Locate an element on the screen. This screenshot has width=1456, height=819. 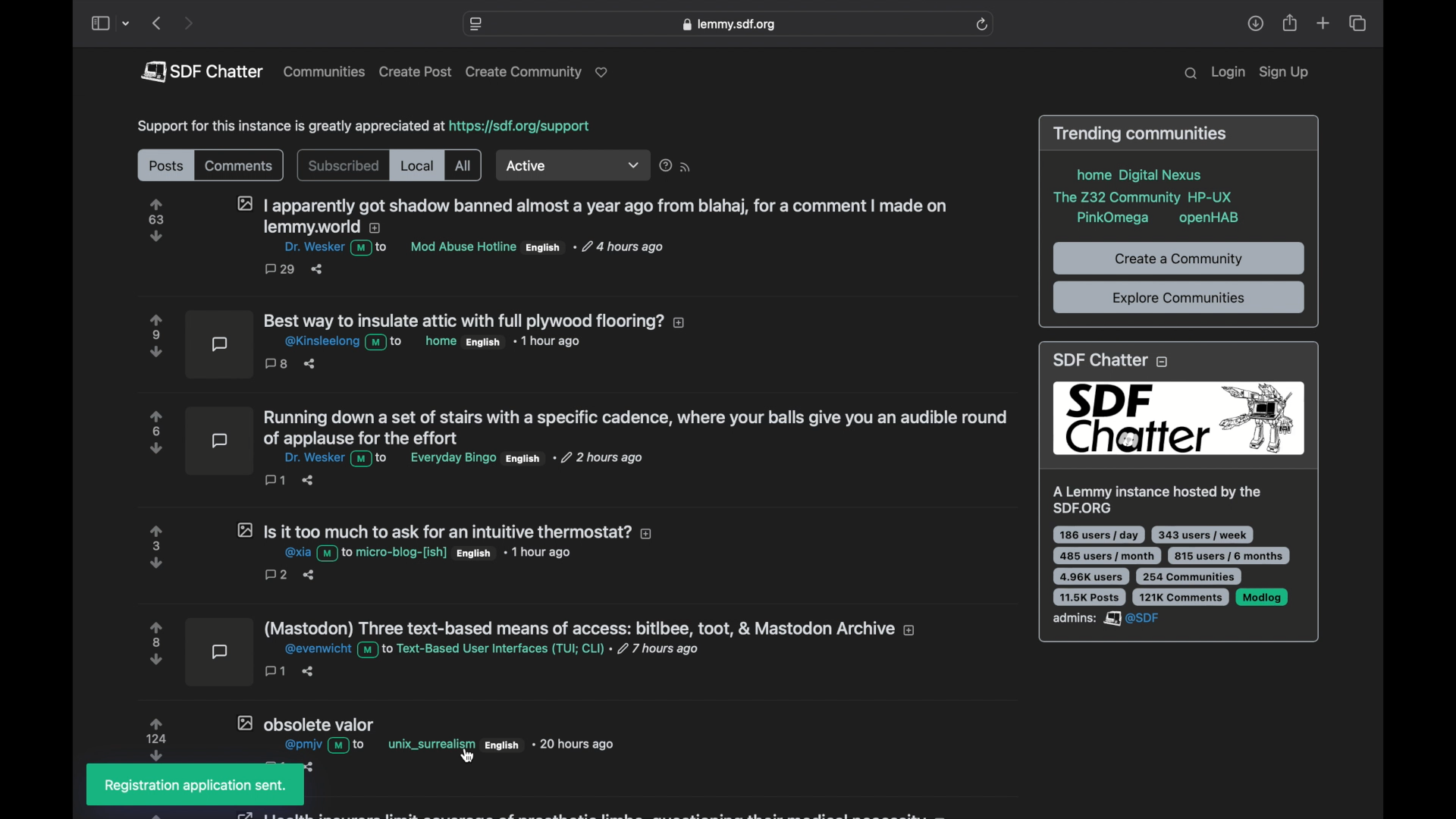
trending communities is located at coordinates (1141, 133).